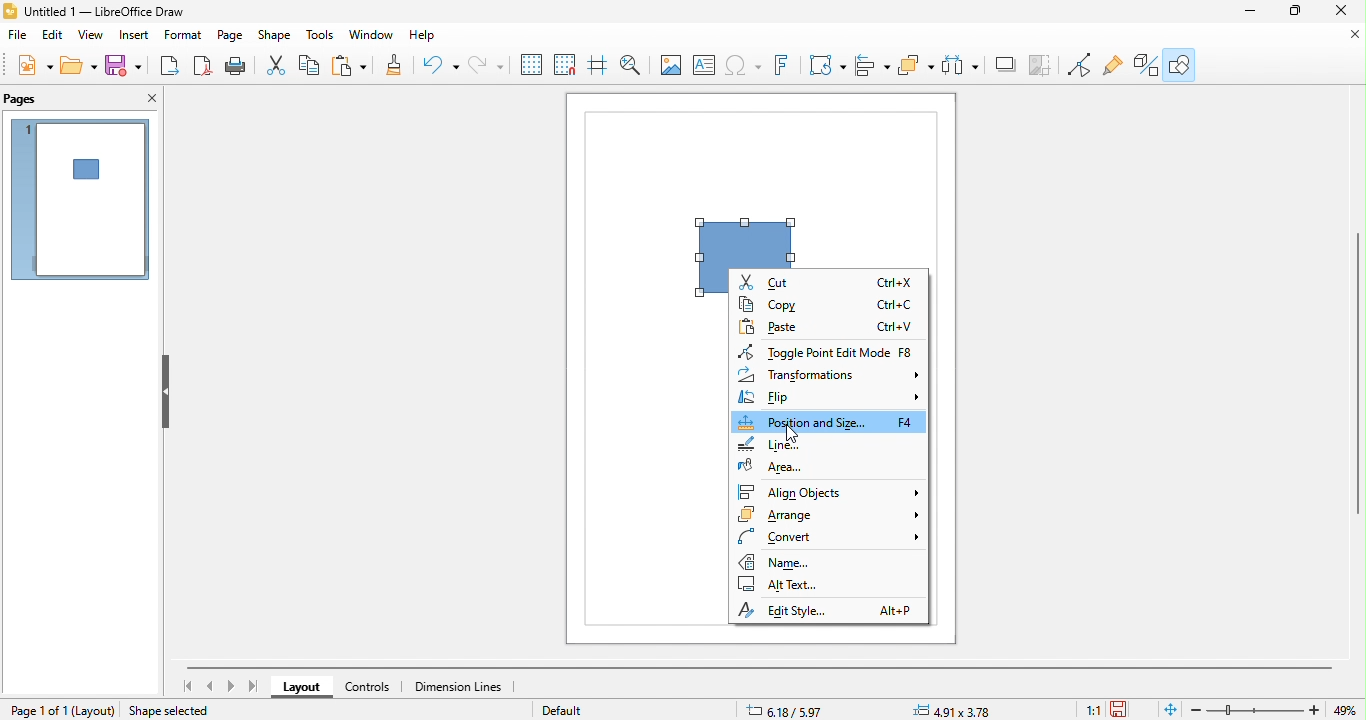 Image resolution: width=1366 pixels, height=720 pixels. Describe the element at coordinates (788, 585) in the screenshot. I see `alt text` at that location.